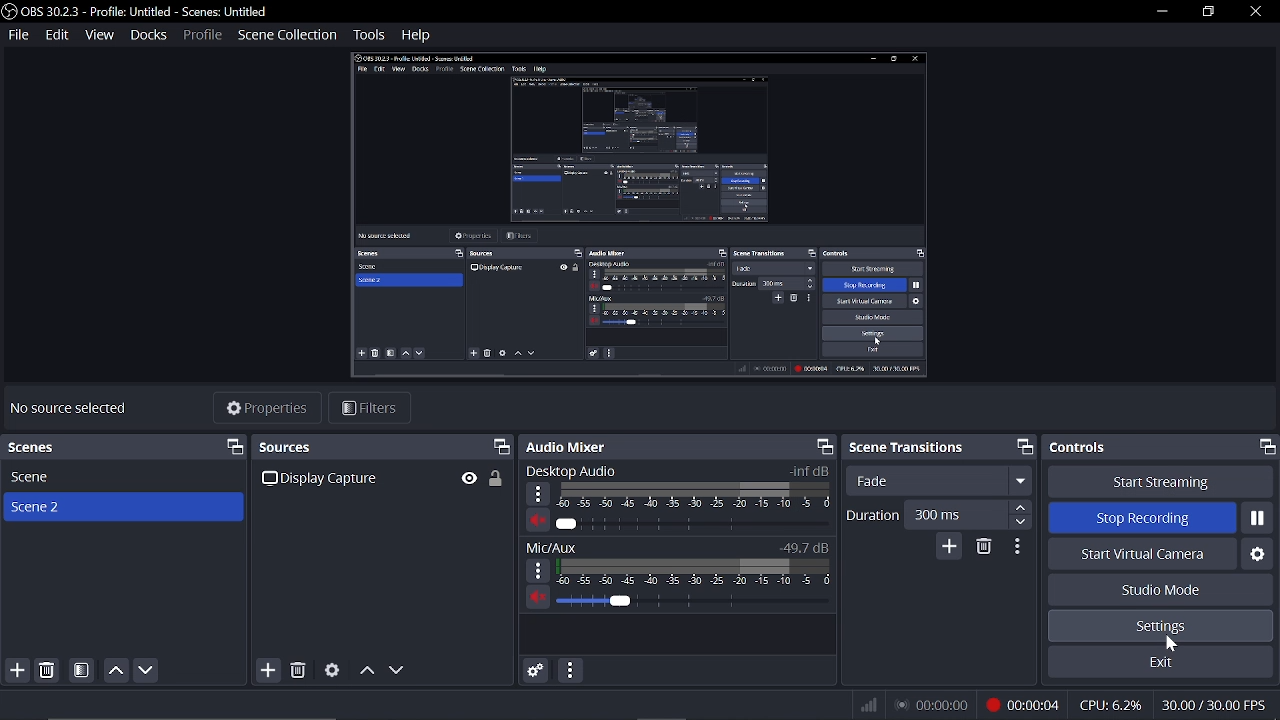  I want to click on transitions properties, so click(1018, 547).